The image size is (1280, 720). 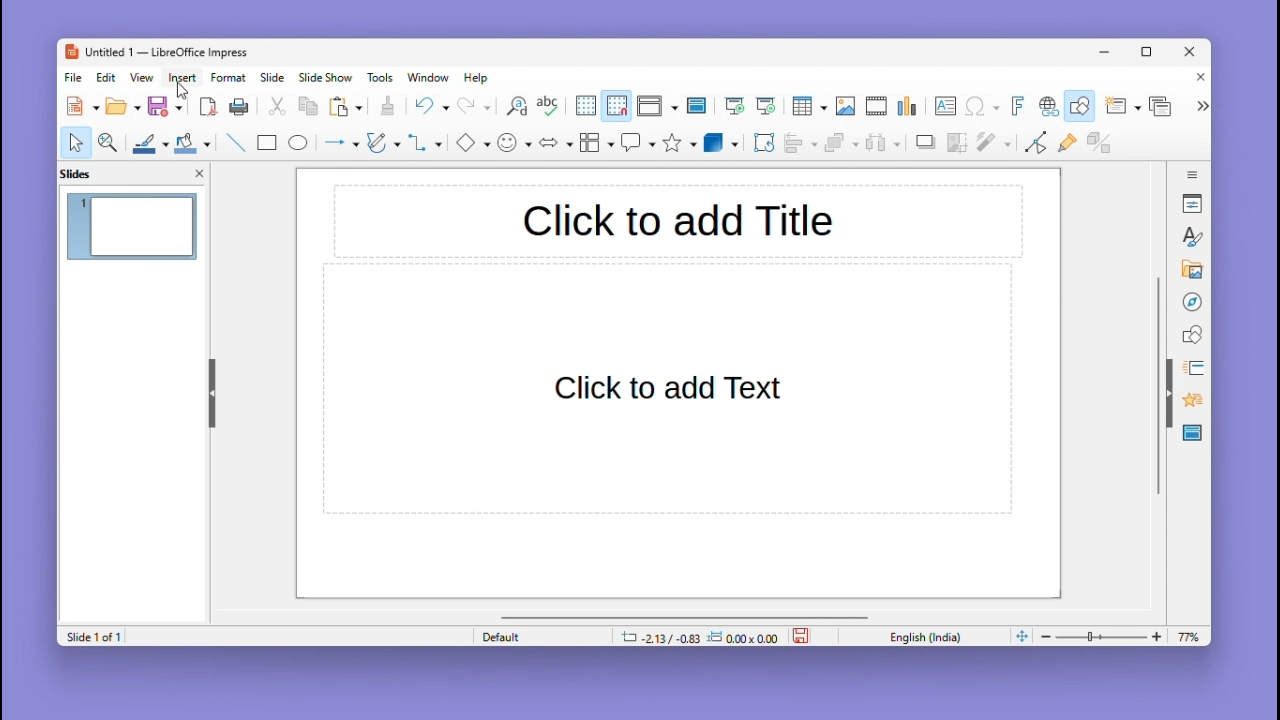 I want to click on Help, so click(x=478, y=78).